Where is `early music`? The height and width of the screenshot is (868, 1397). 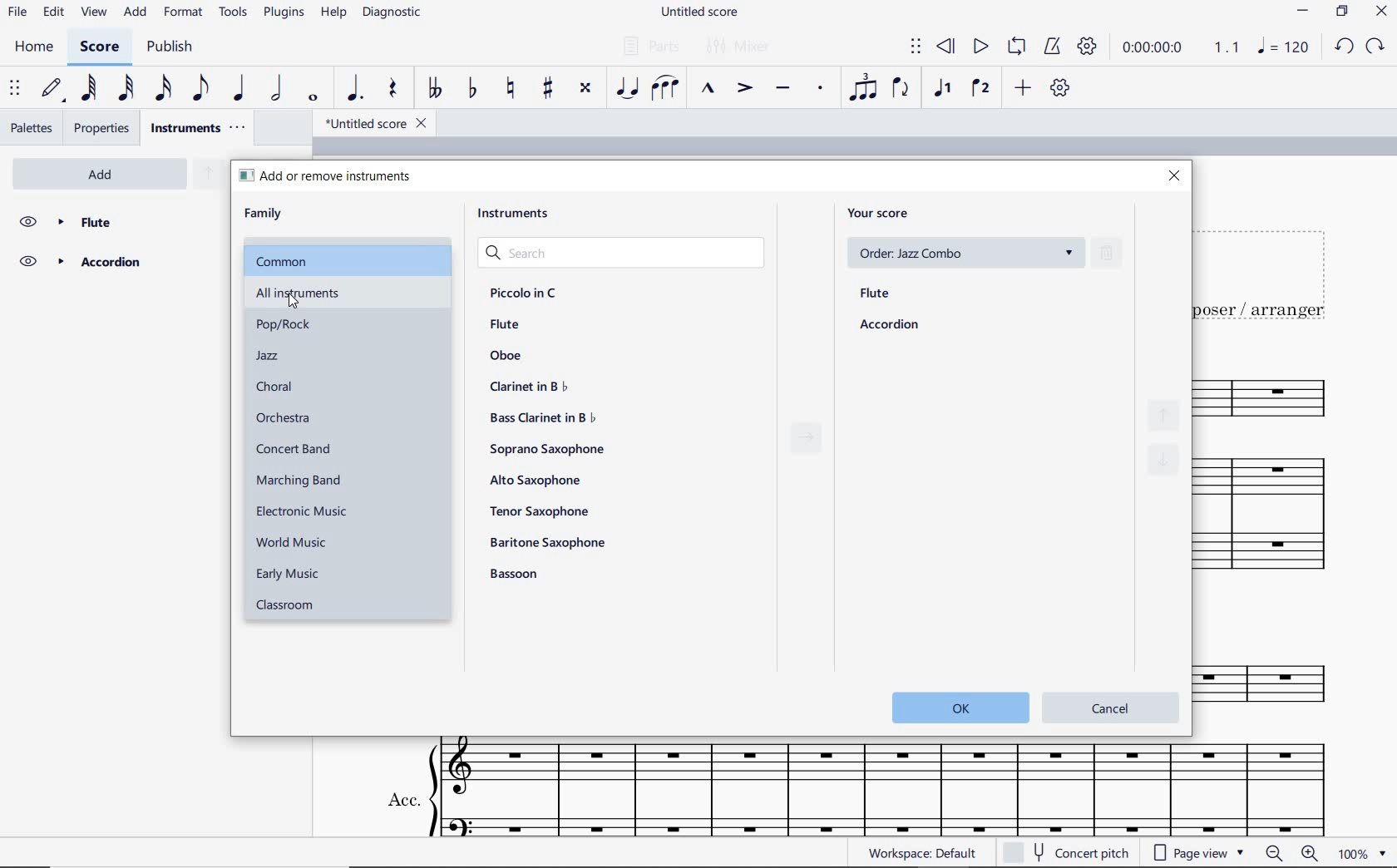 early music is located at coordinates (292, 575).